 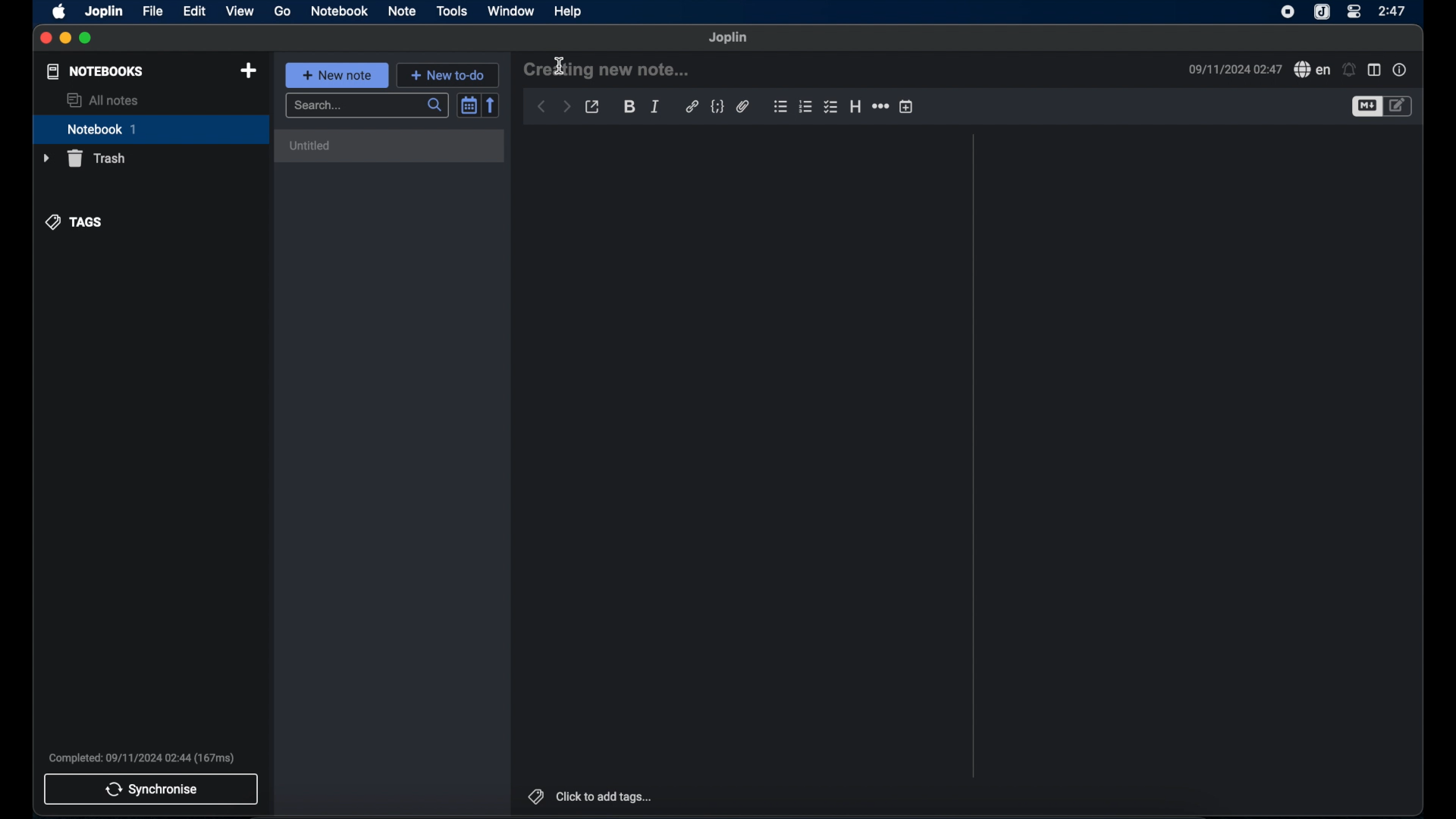 What do you see at coordinates (729, 37) in the screenshot?
I see `joplin` at bounding box center [729, 37].